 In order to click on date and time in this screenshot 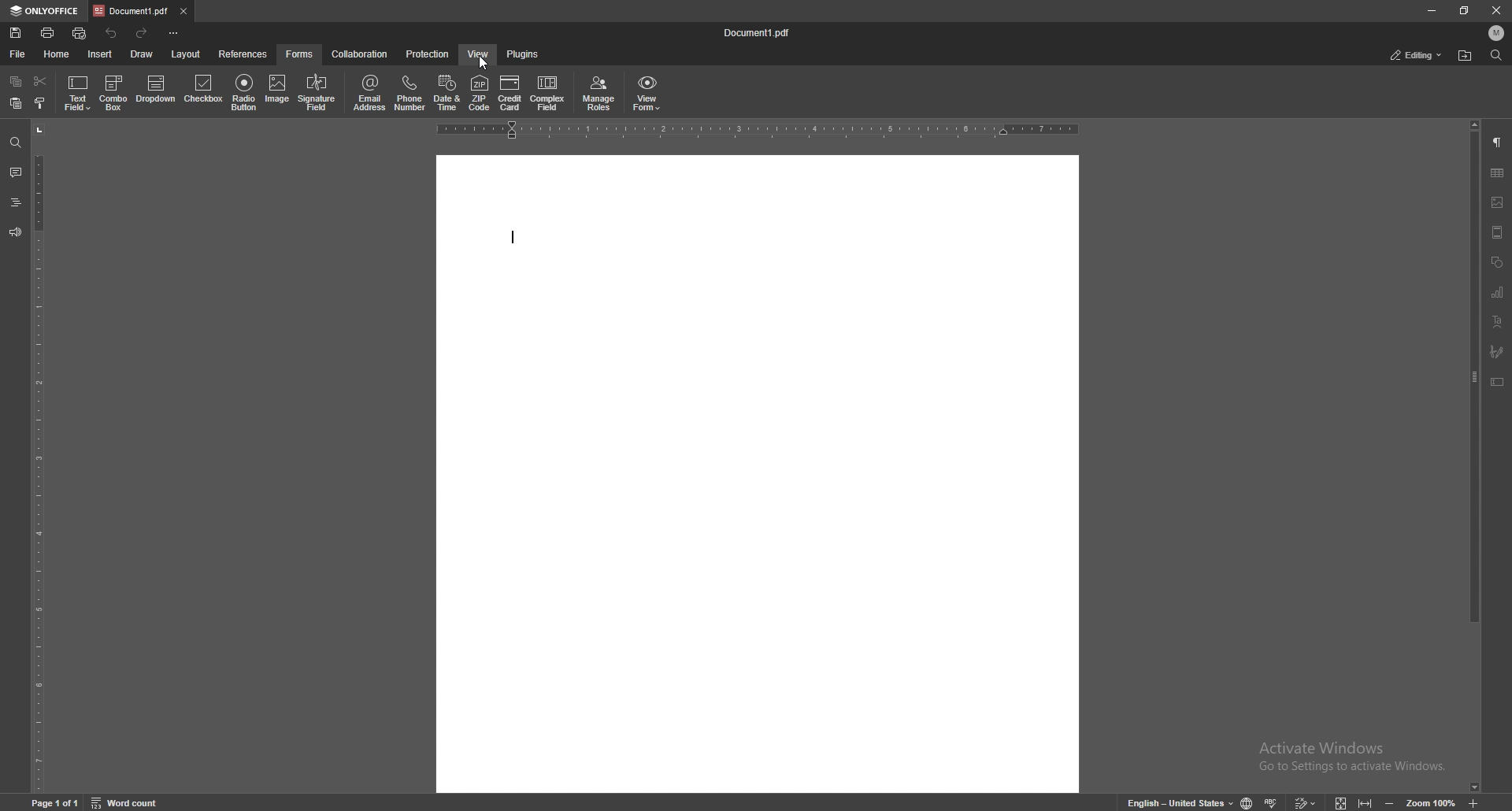, I will do `click(447, 92)`.